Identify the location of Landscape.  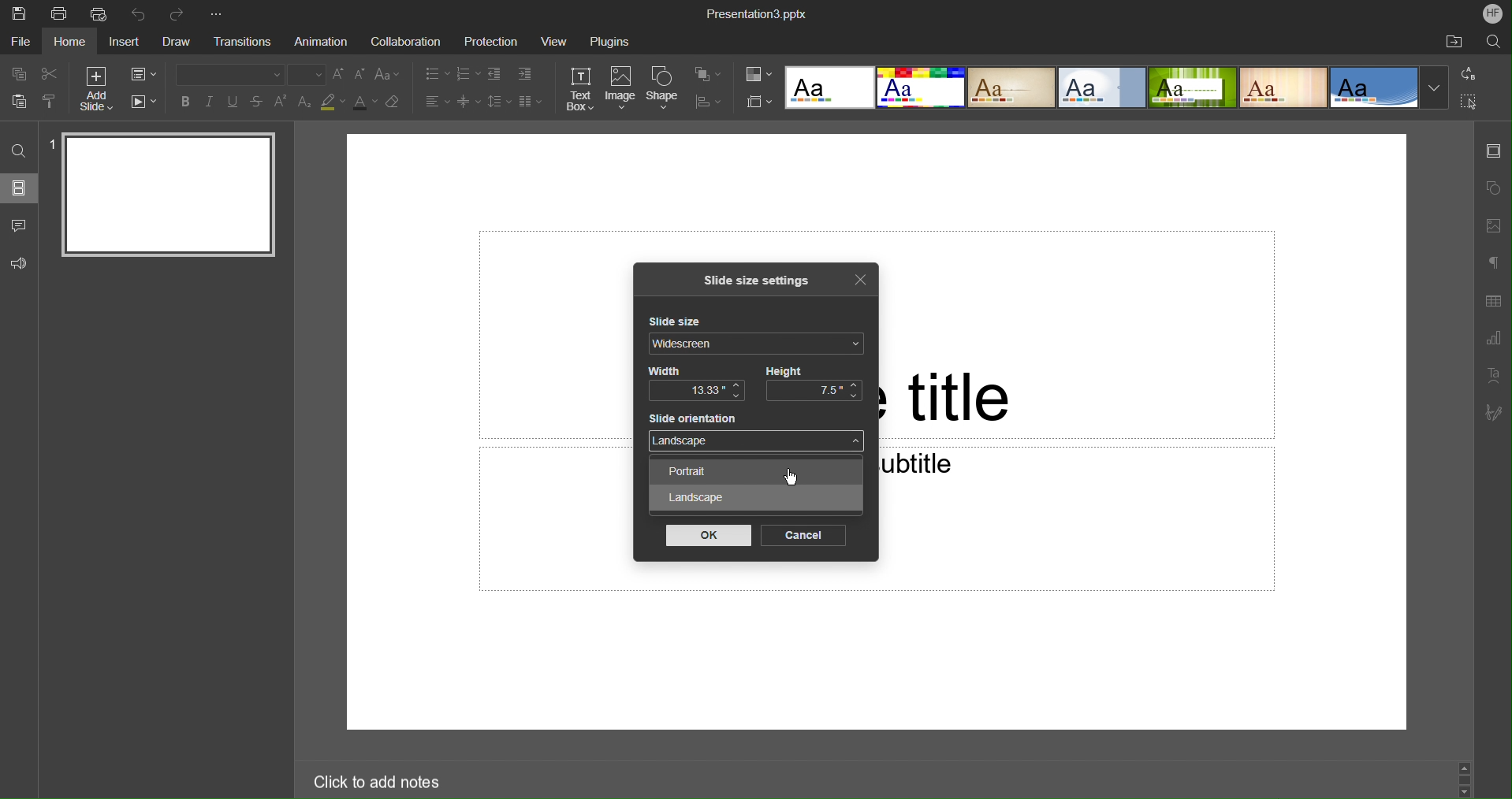
(758, 440).